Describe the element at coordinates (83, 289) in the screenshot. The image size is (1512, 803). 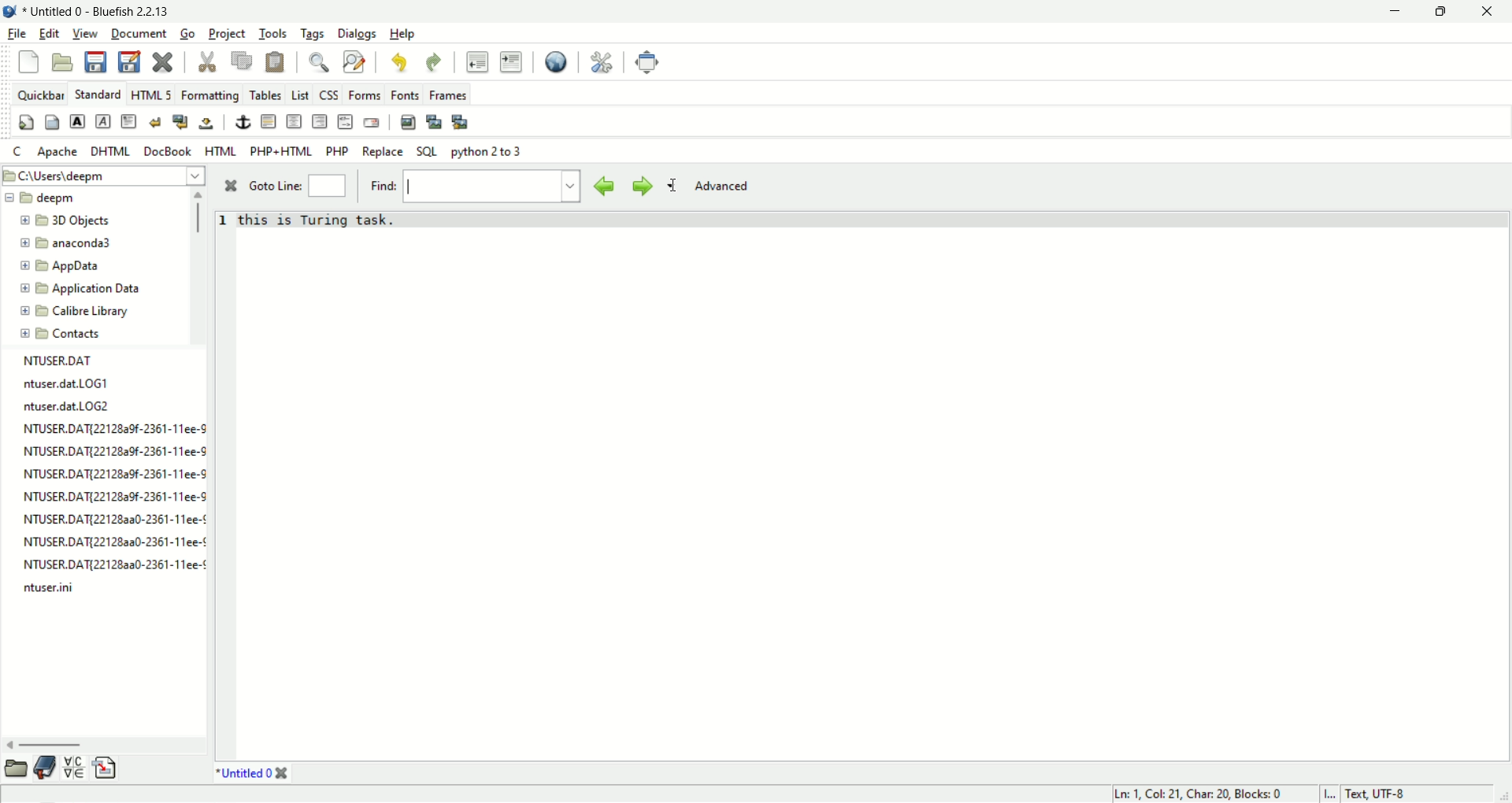
I see `Application Data` at that location.